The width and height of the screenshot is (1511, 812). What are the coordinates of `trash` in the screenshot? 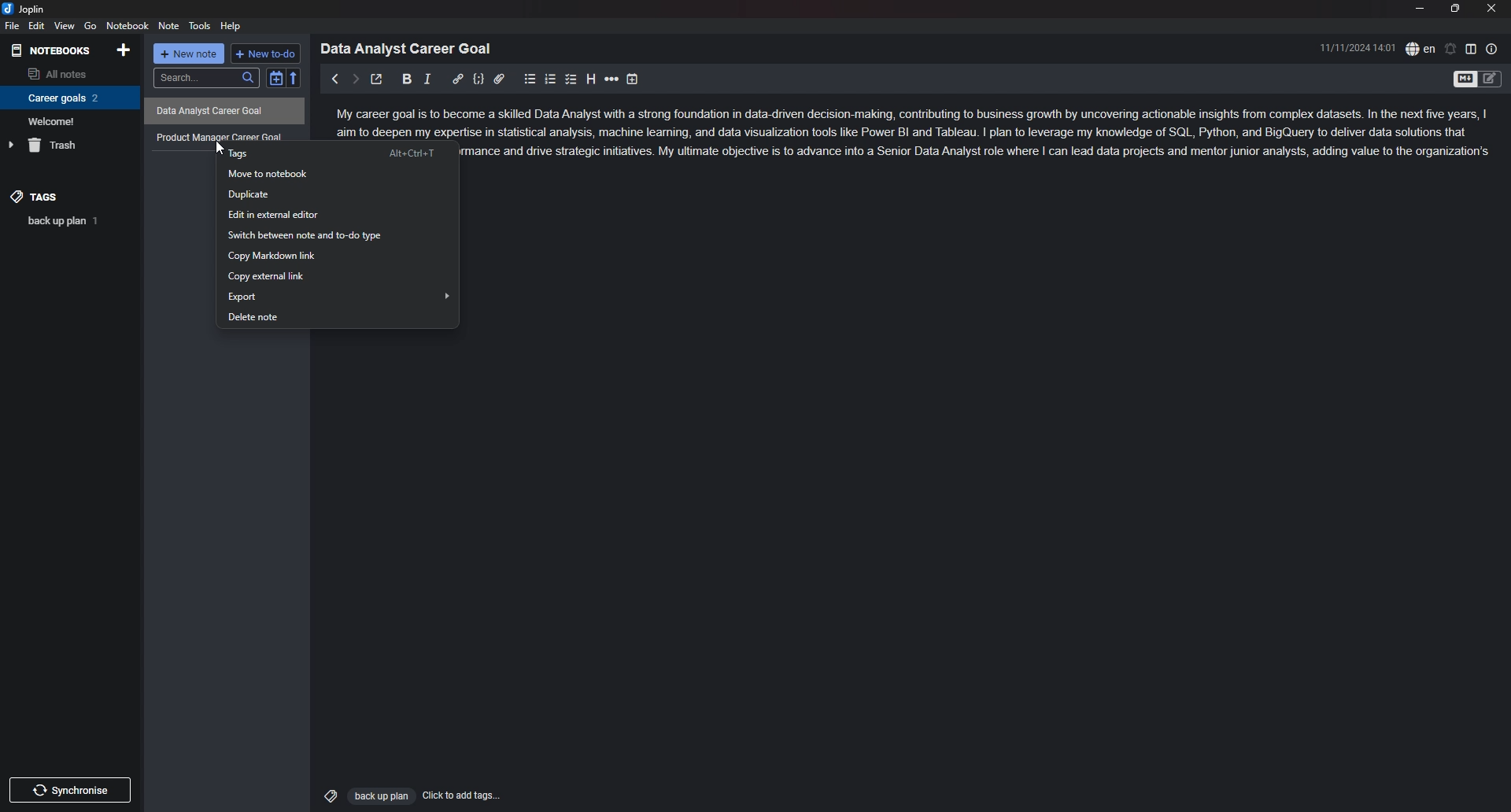 It's located at (68, 145).